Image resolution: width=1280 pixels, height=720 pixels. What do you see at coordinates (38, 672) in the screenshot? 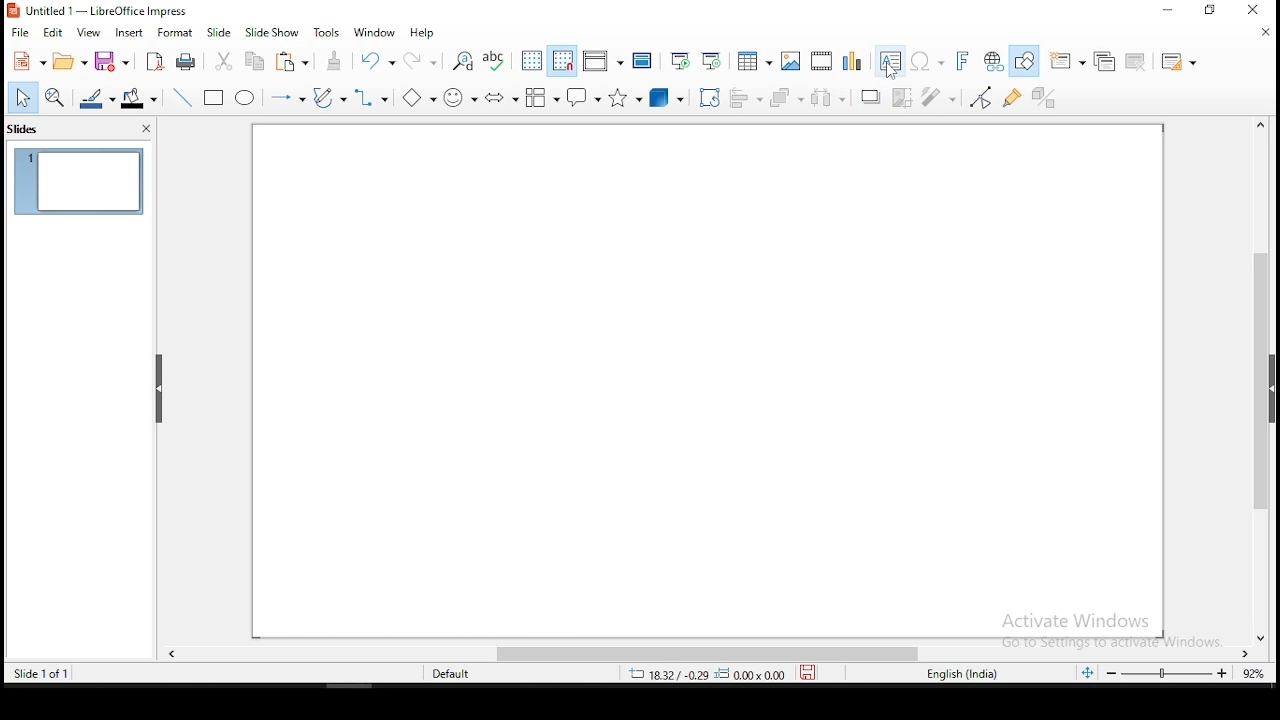
I see `Slide 1 of 1` at bounding box center [38, 672].